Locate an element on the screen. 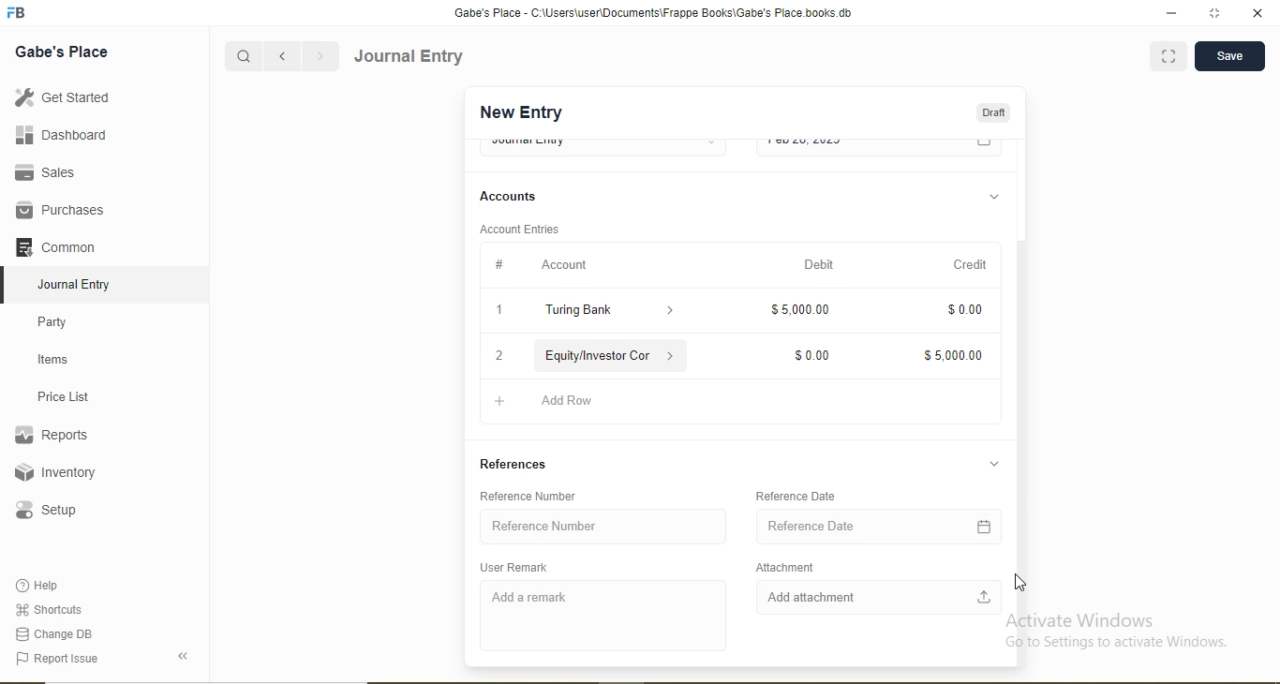  Equity/Investor Con is located at coordinates (598, 356).